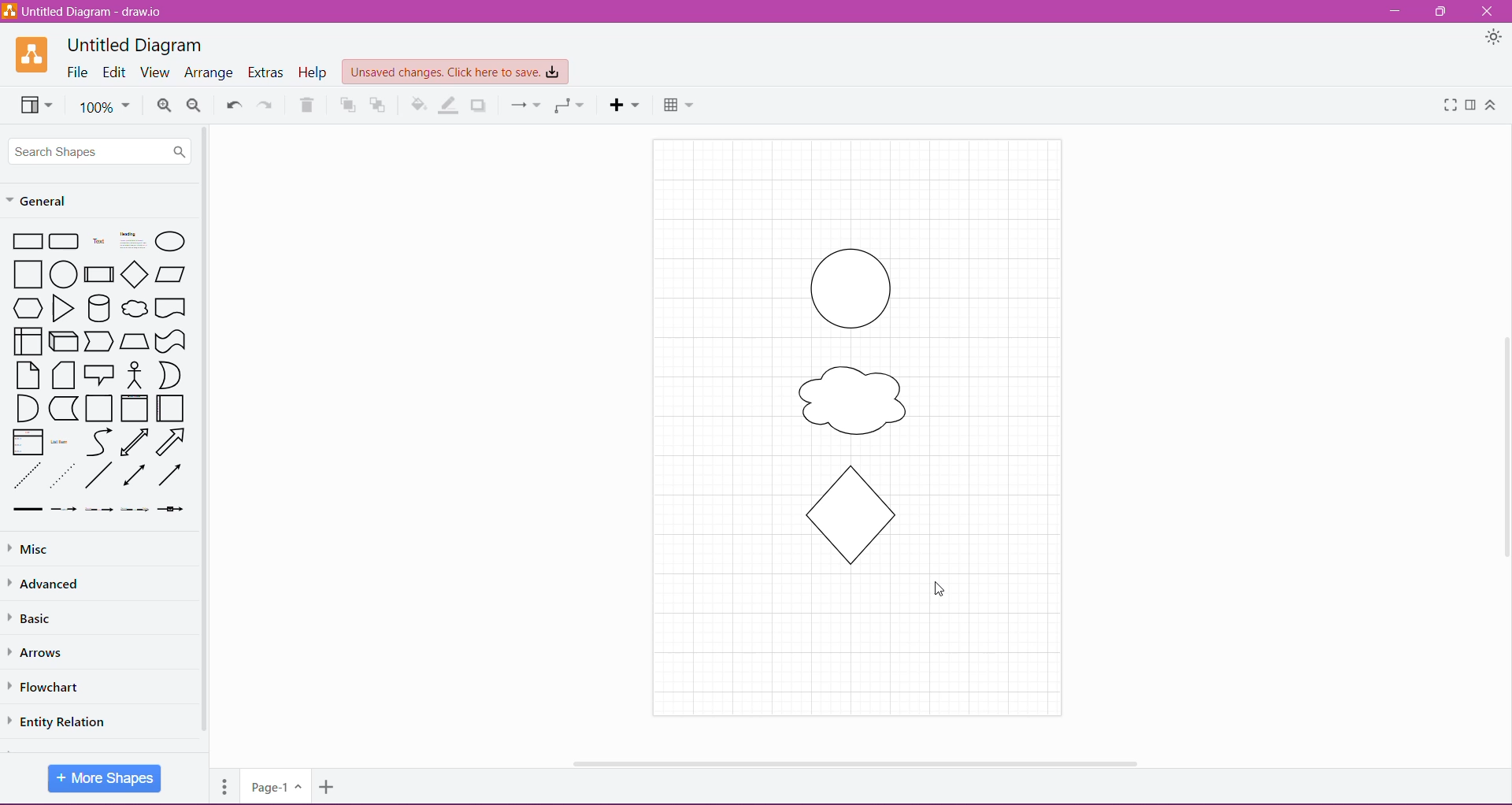 This screenshot has width=1512, height=805. Describe the element at coordinates (1491, 106) in the screenshot. I see `Expand/Collapse` at that location.